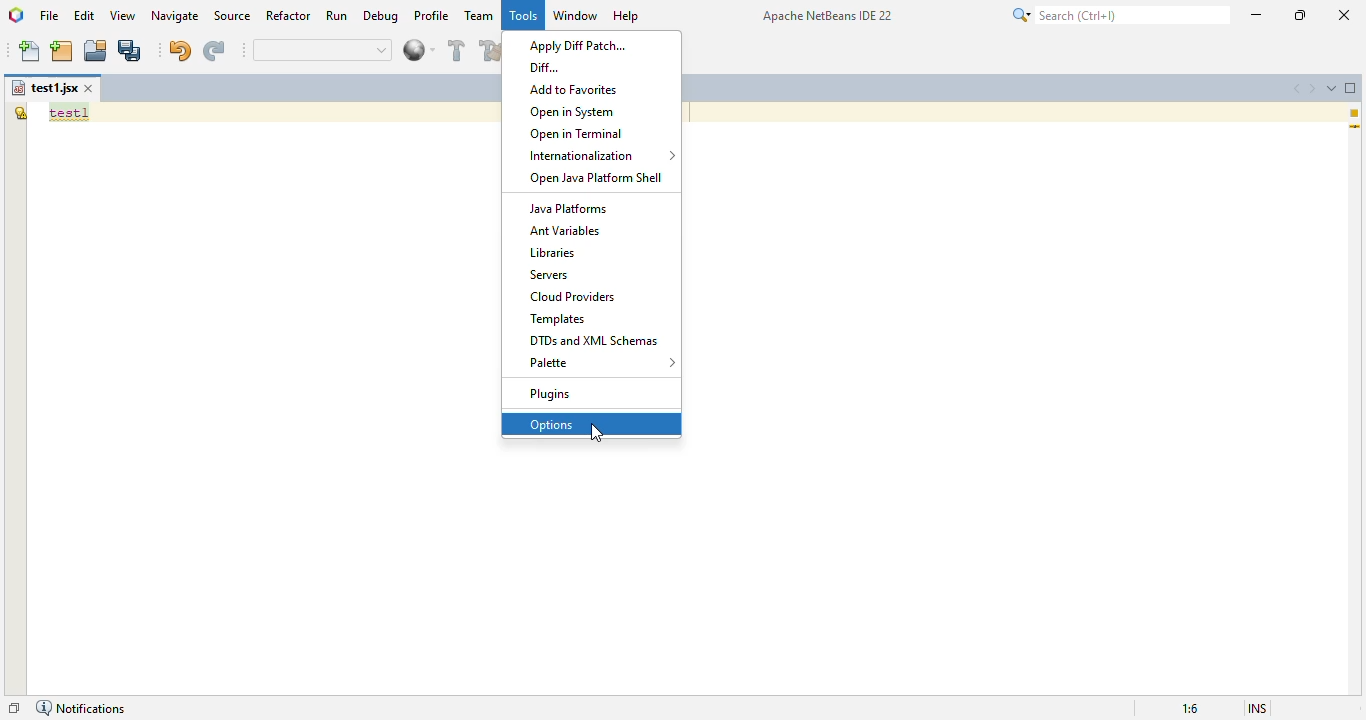 The height and width of the screenshot is (720, 1366). I want to click on Apache NetBeans IDE 22, so click(828, 15).